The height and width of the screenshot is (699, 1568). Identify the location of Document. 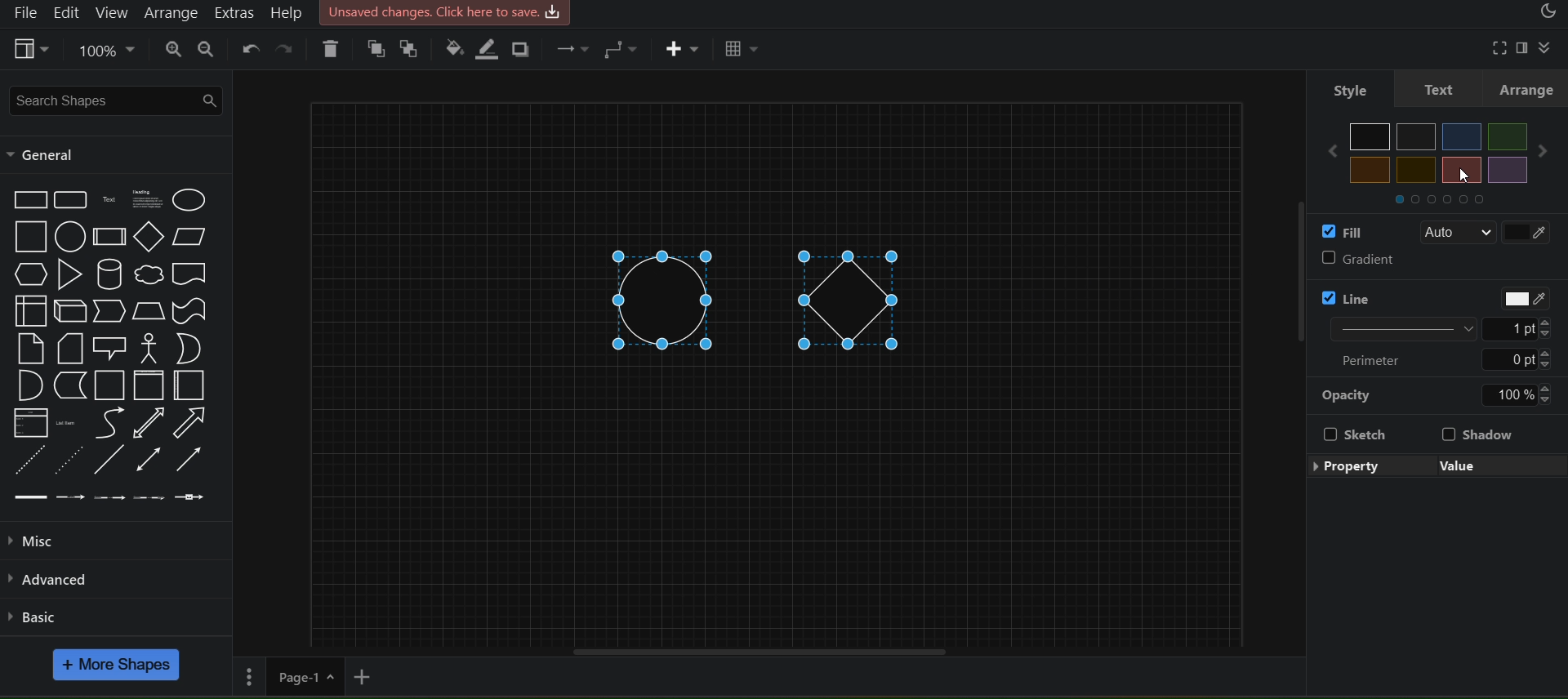
(189, 274).